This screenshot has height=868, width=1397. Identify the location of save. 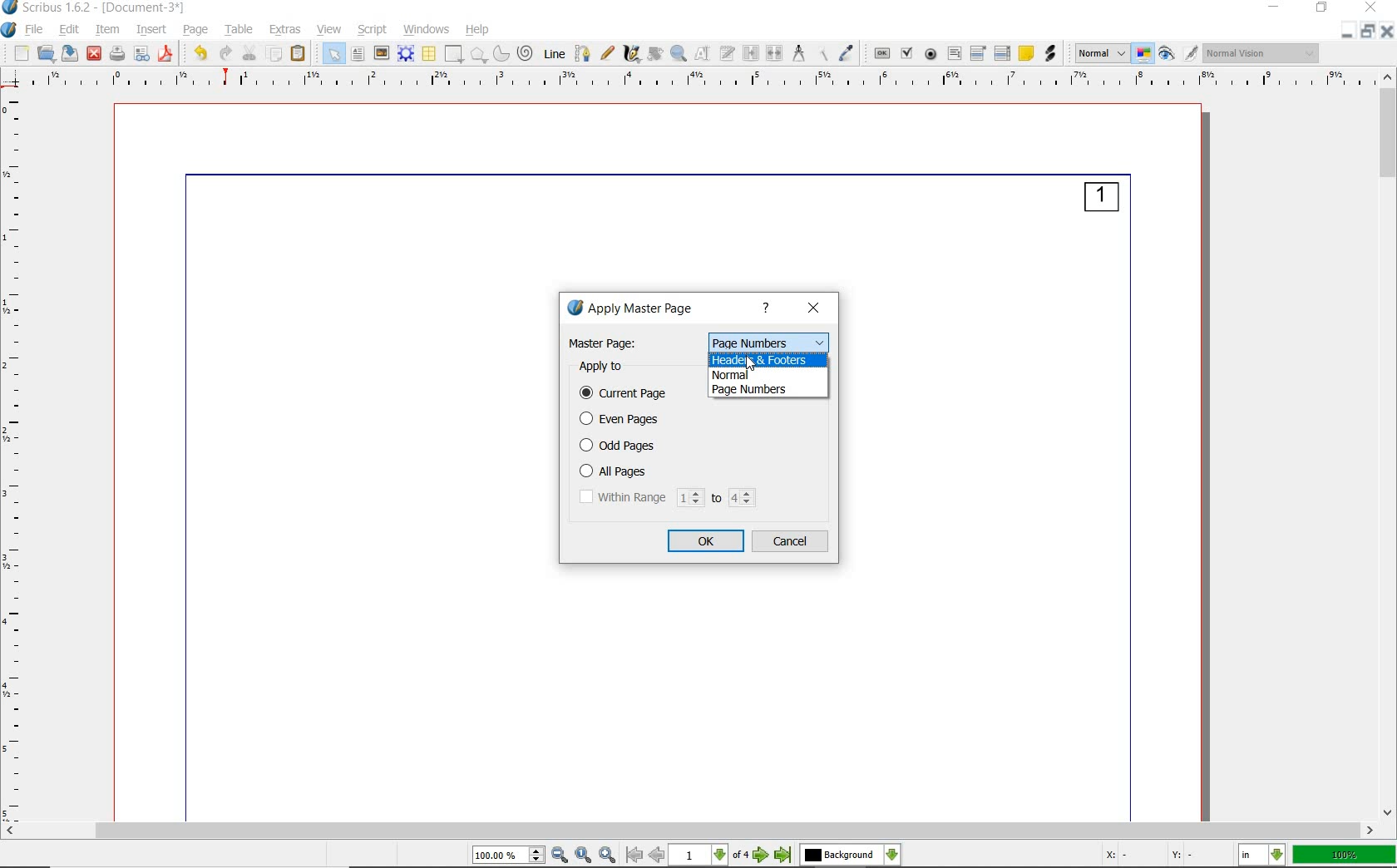
(68, 53).